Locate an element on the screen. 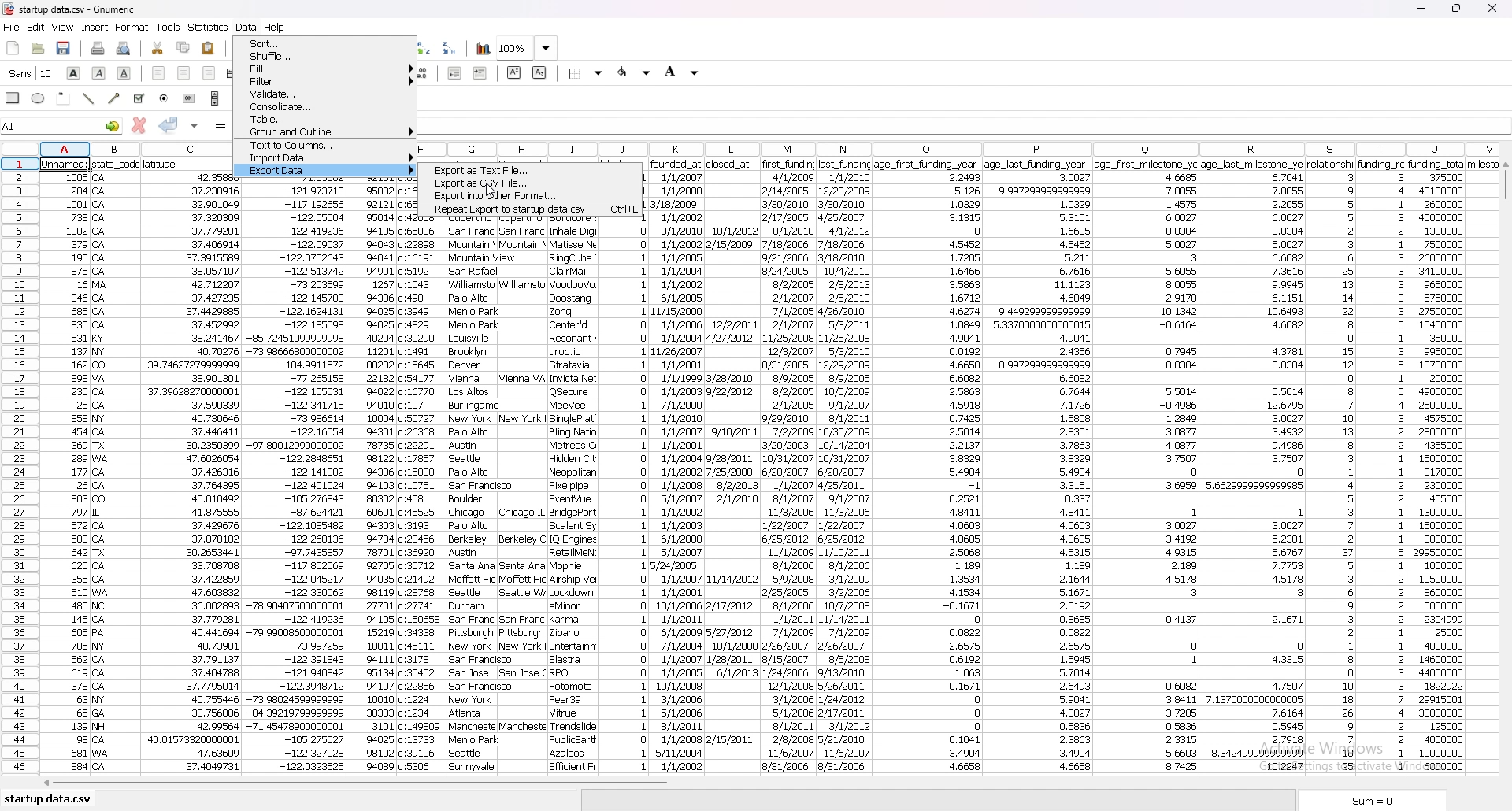 This screenshot has width=1512, height=811. format is located at coordinates (133, 28).